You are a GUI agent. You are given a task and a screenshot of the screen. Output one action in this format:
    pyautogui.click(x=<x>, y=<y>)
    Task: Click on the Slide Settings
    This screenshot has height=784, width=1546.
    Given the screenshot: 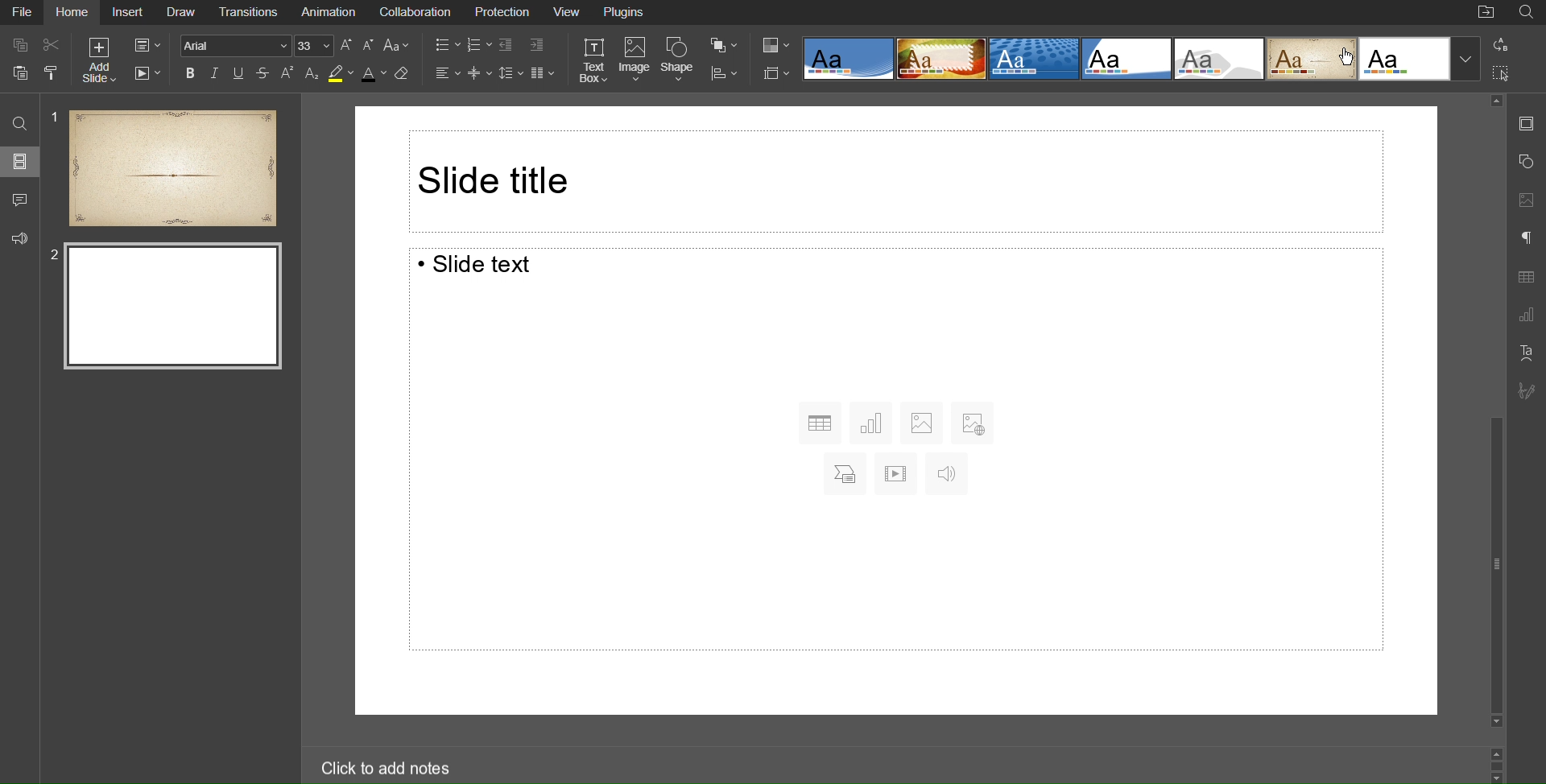 What is the action you would take?
    pyautogui.click(x=776, y=73)
    